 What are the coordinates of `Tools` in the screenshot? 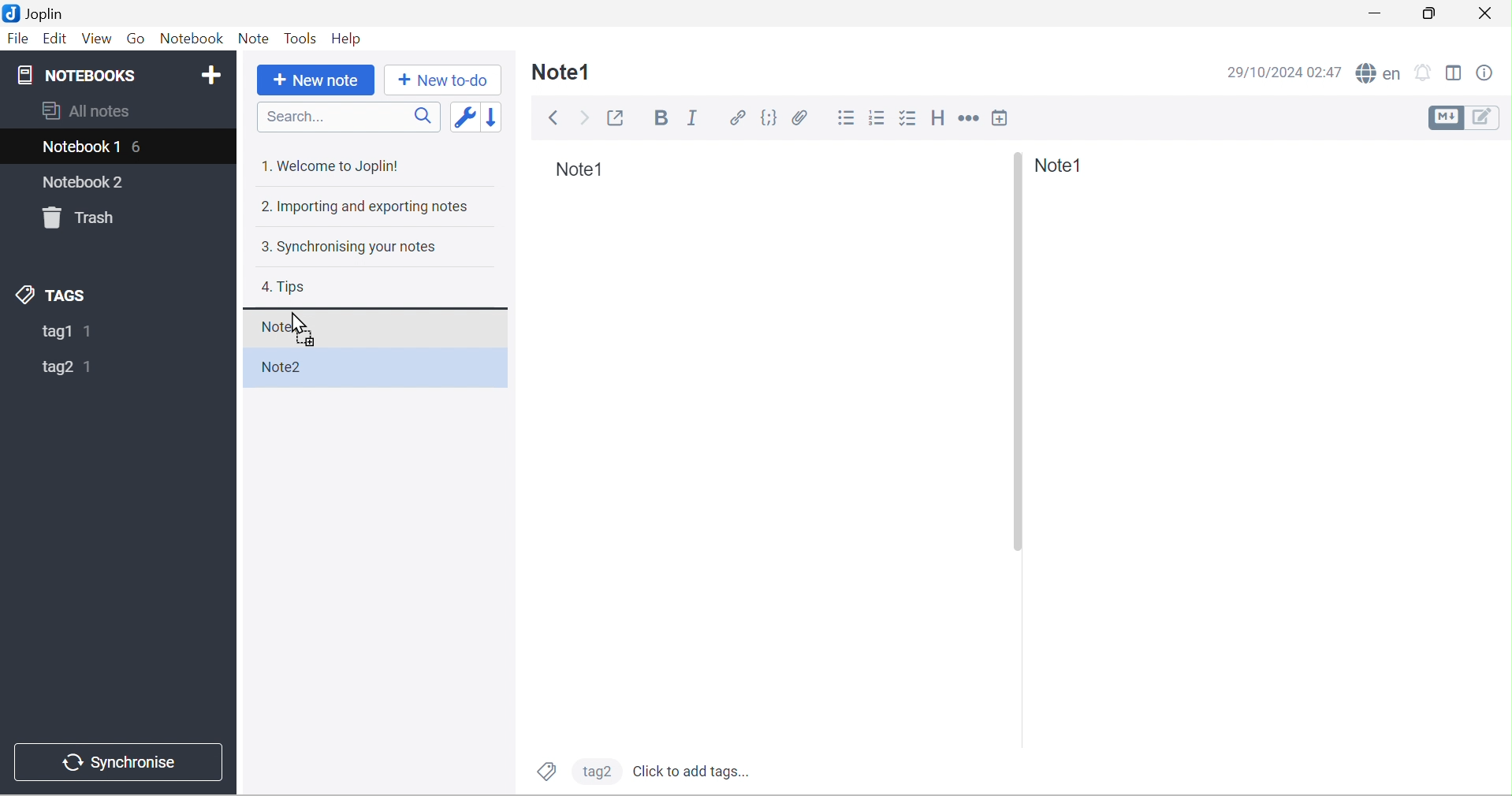 It's located at (302, 39).